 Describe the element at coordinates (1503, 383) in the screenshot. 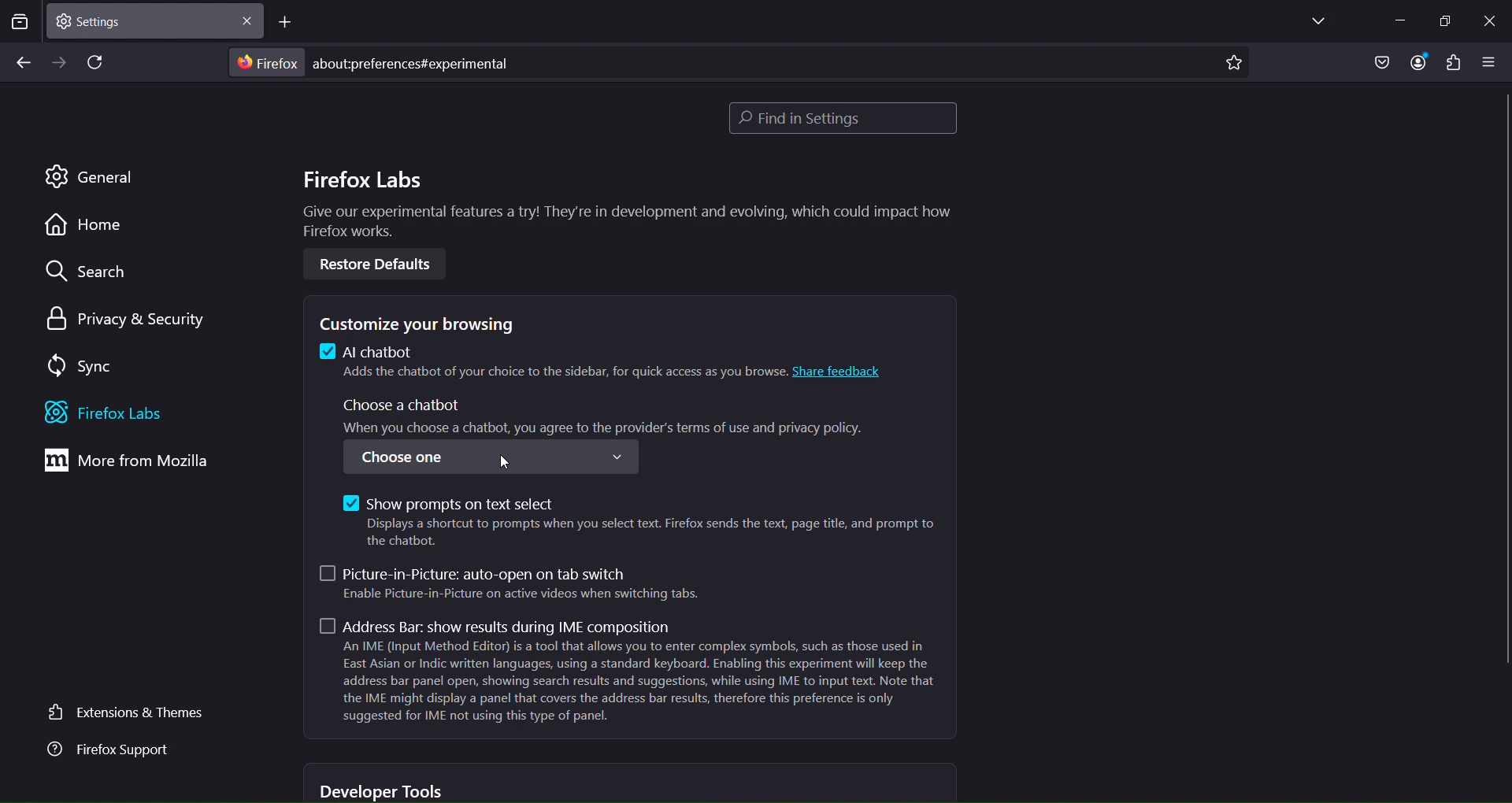

I see `scrollbar` at that location.